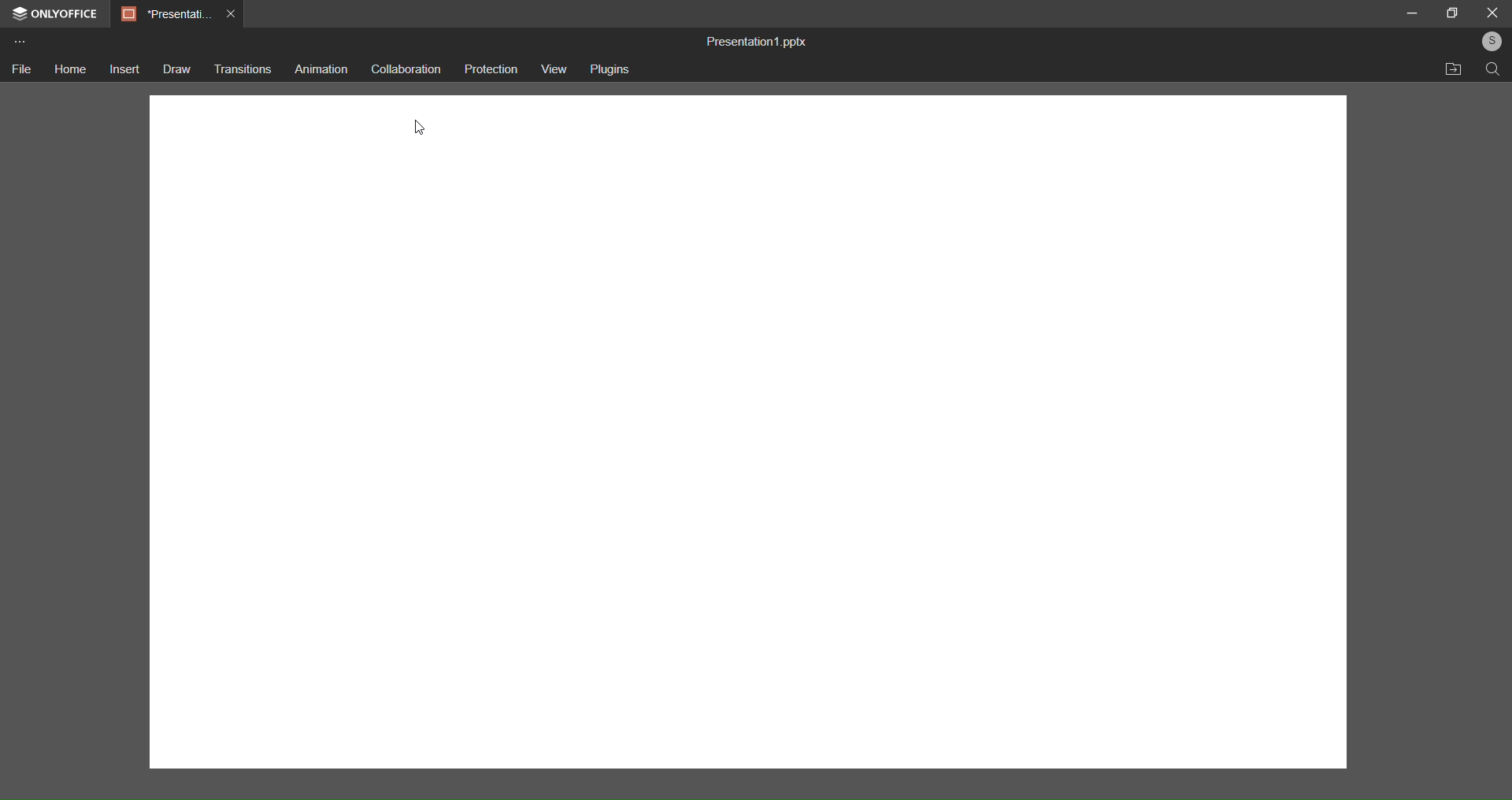 The width and height of the screenshot is (1512, 800). What do you see at coordinates (1455, 69) in the screenshot?
I see `open` at bounding box center [1455, 69].